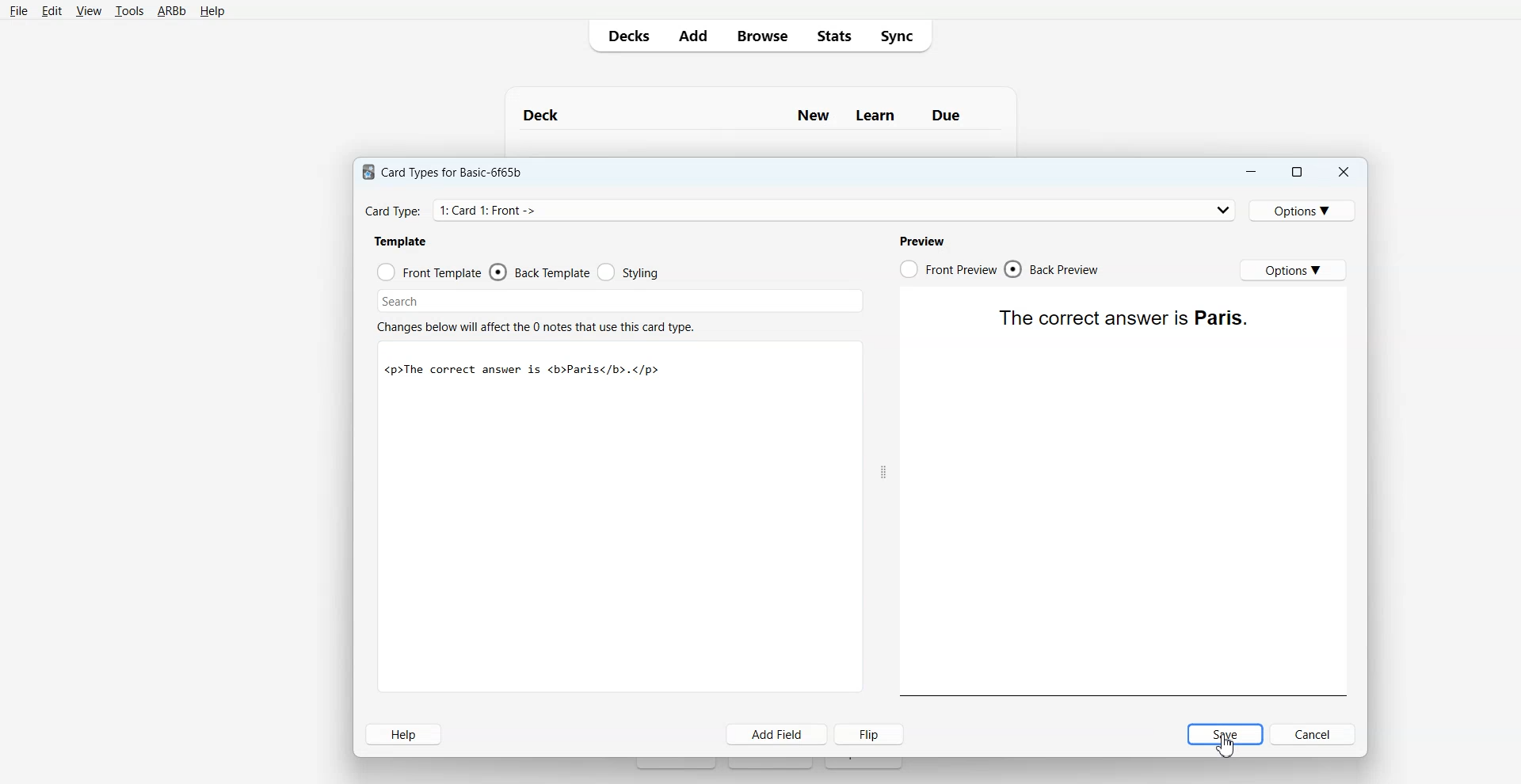 This screenshot has width=1521, height=784. Describe the element at coordinates (19, 11) in the screenshot. I see `File` at that location.